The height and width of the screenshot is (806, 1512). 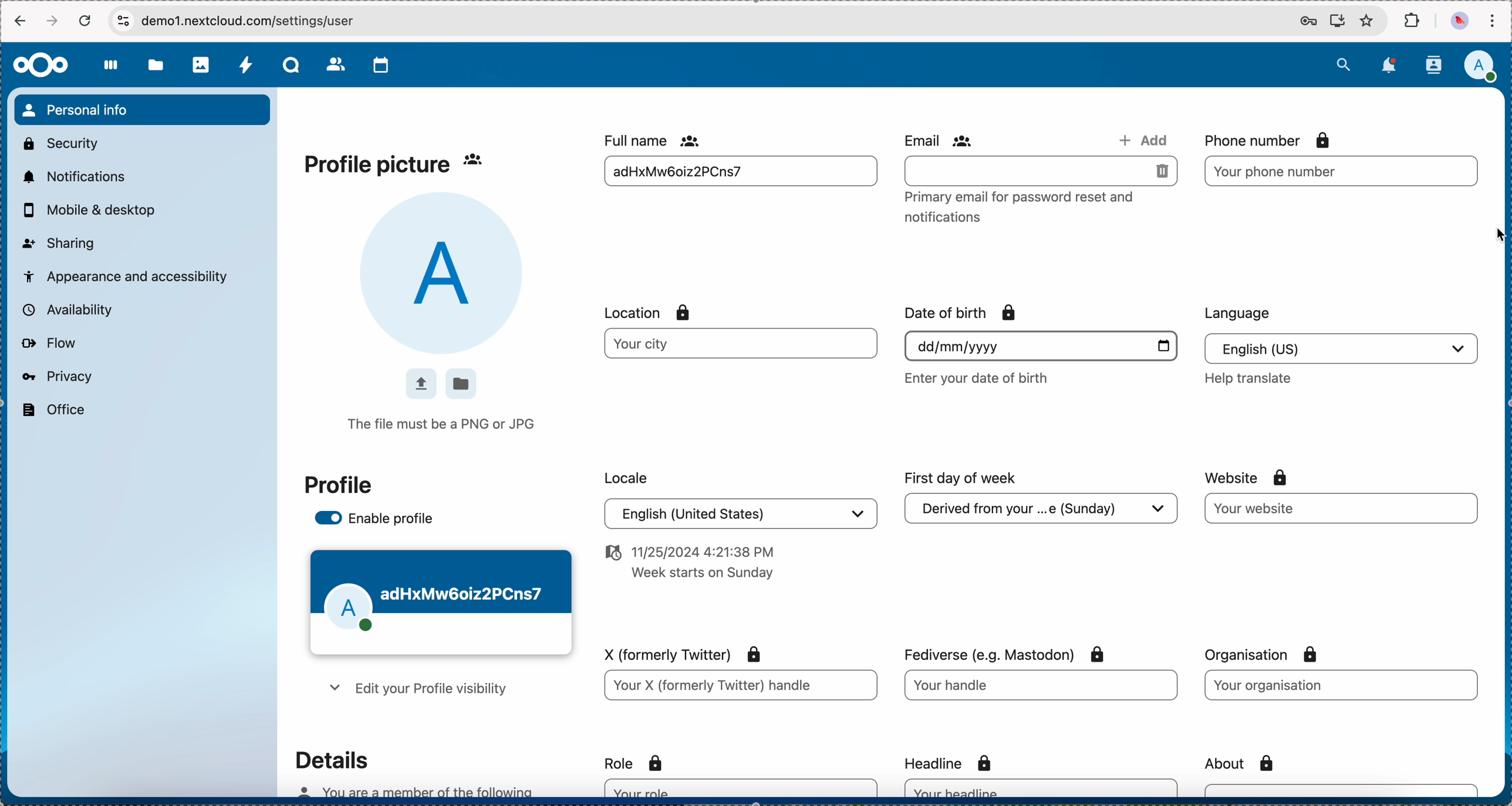 What do you see at coordinates (1366, 22) in the screenshot?
I see `favorites` at bounding box center [1366, 22].